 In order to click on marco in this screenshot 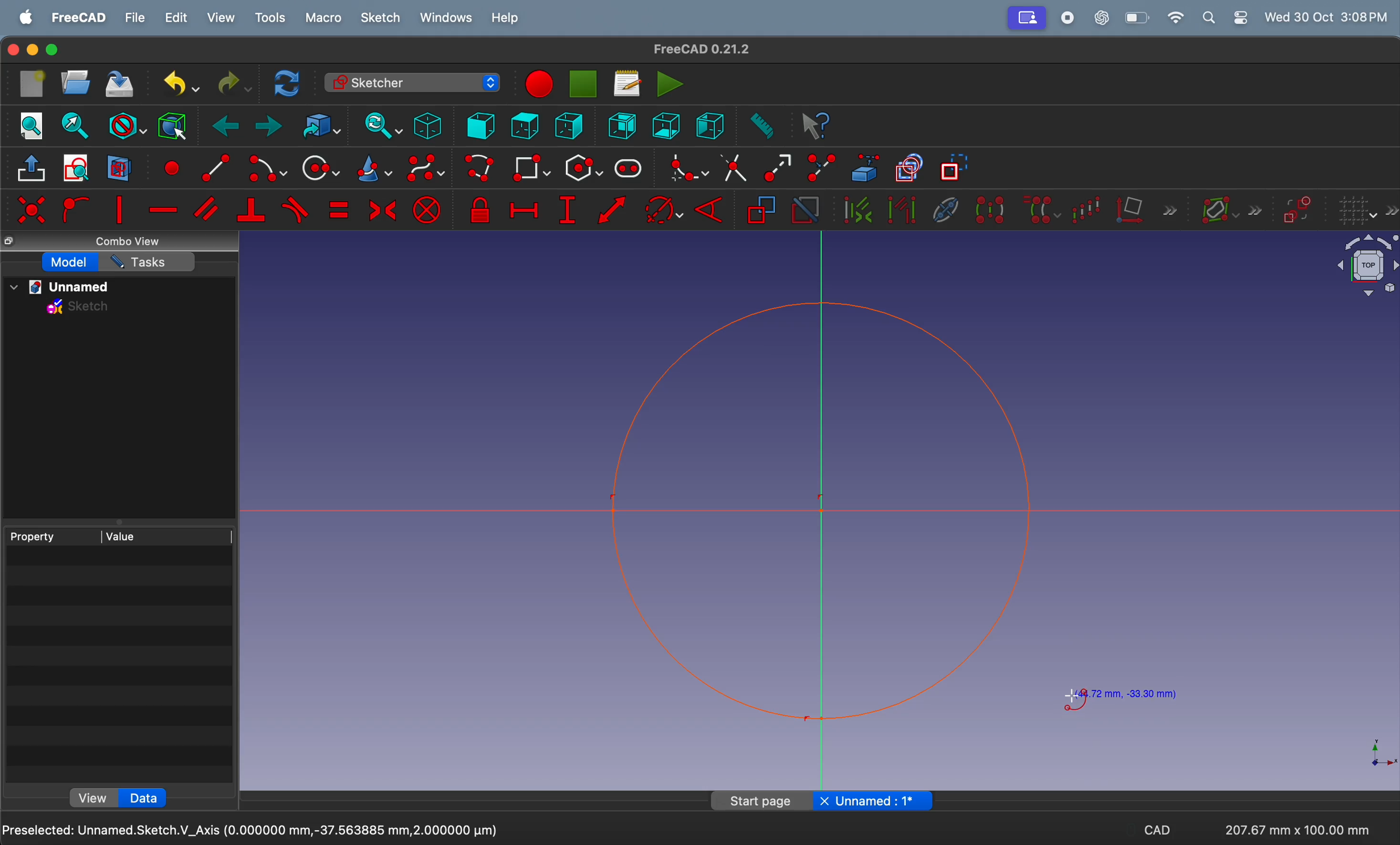, I will do `click(325, 19)`.